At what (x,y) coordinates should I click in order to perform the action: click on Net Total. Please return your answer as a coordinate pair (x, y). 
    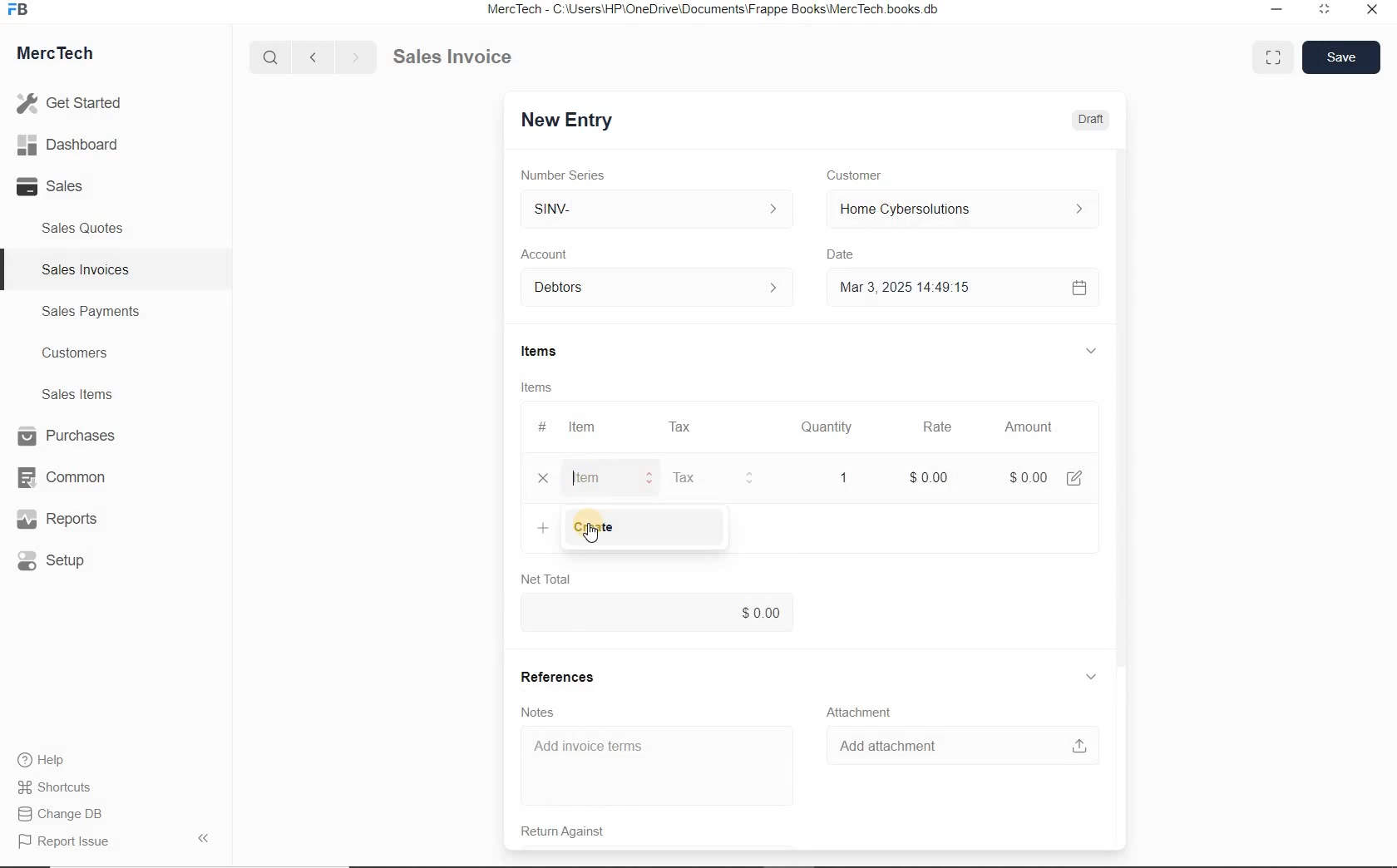
    Looking at the image, I should click on (546, 579).